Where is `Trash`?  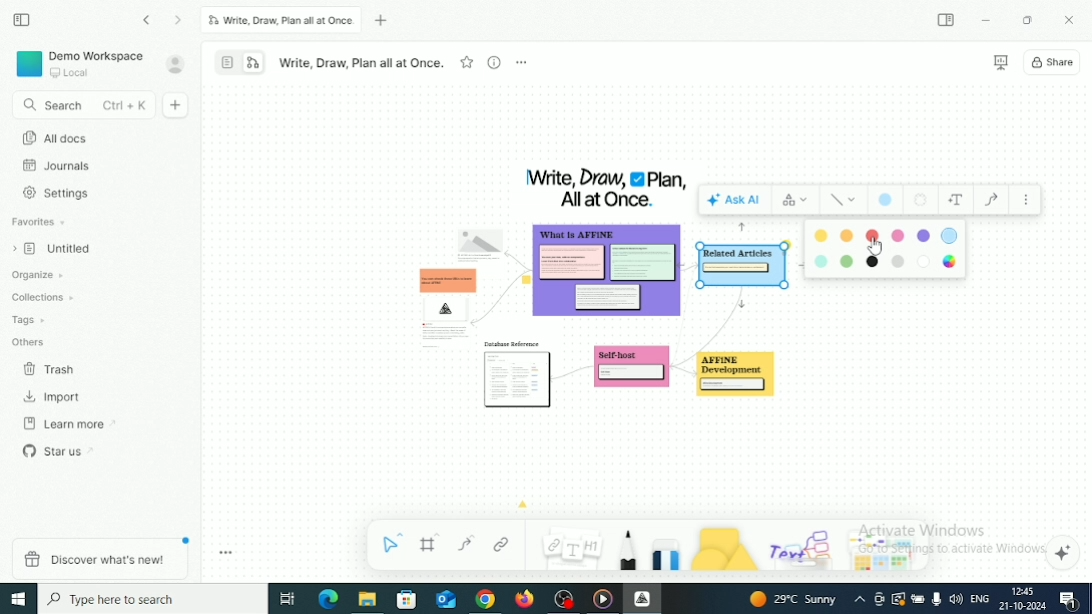 Trash is located at coordinates (51, 370).